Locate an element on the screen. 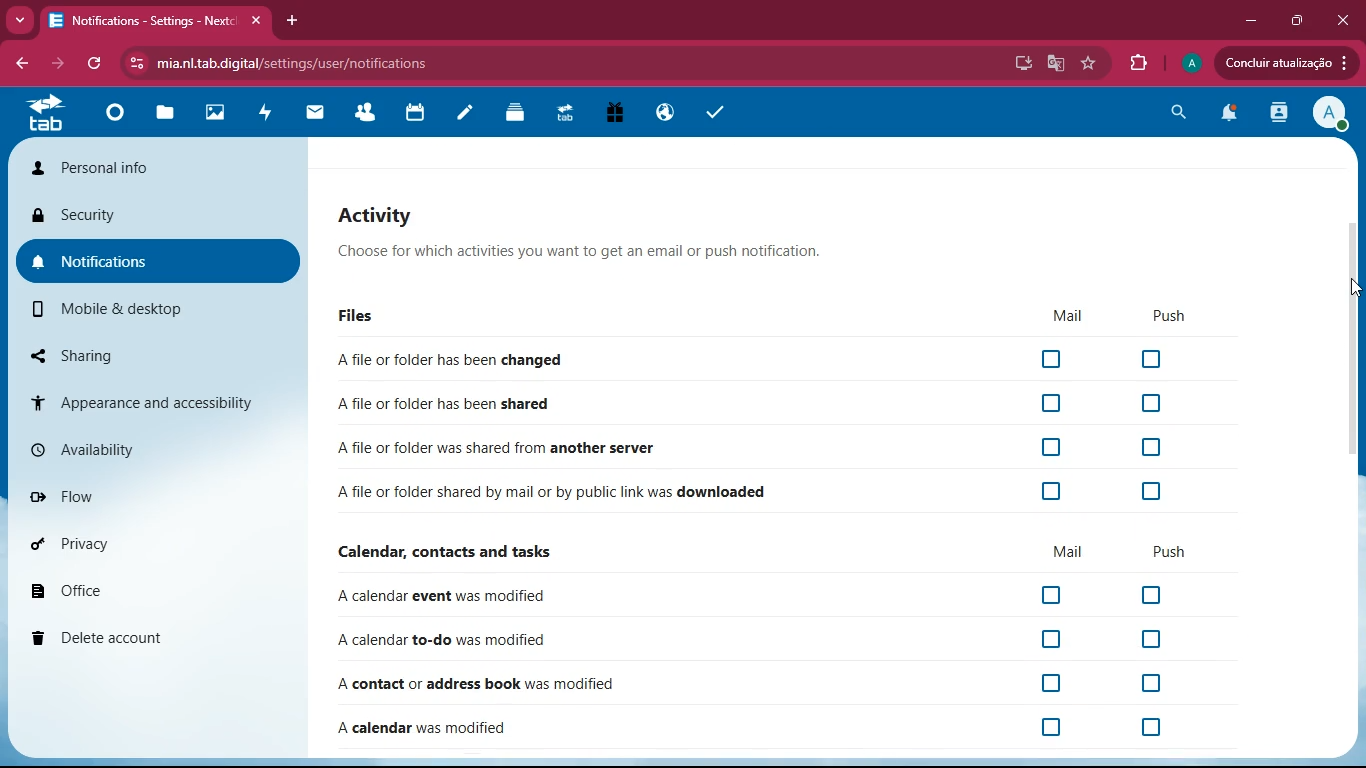 Image resolution: width=1366 pixels, height=768 pixels. Choose for which activities you want to get an email or push notification. is located at coordinates (578, 253).